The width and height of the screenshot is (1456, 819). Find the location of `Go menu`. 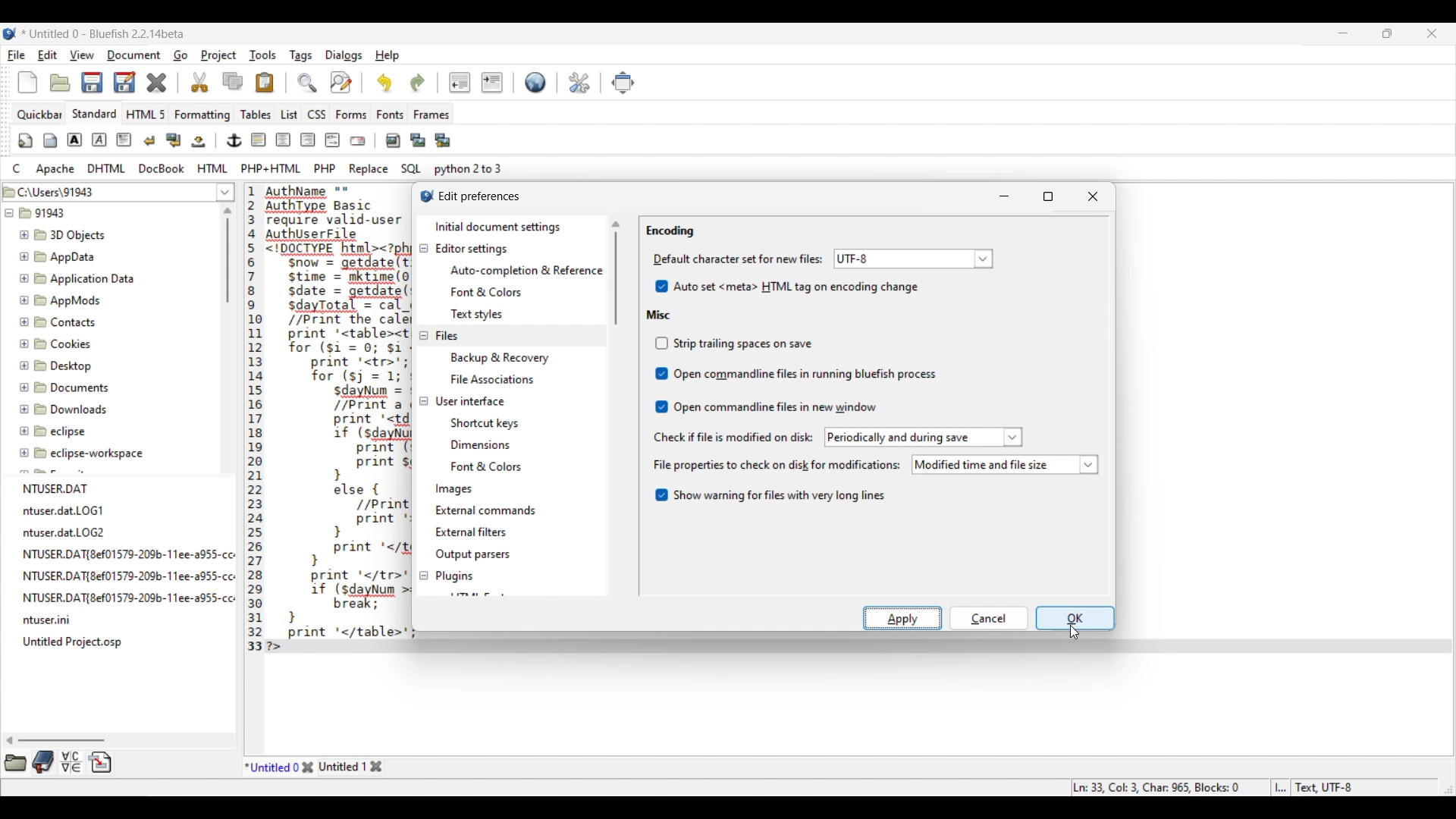

Go menu is located at coordinates (180, 55).